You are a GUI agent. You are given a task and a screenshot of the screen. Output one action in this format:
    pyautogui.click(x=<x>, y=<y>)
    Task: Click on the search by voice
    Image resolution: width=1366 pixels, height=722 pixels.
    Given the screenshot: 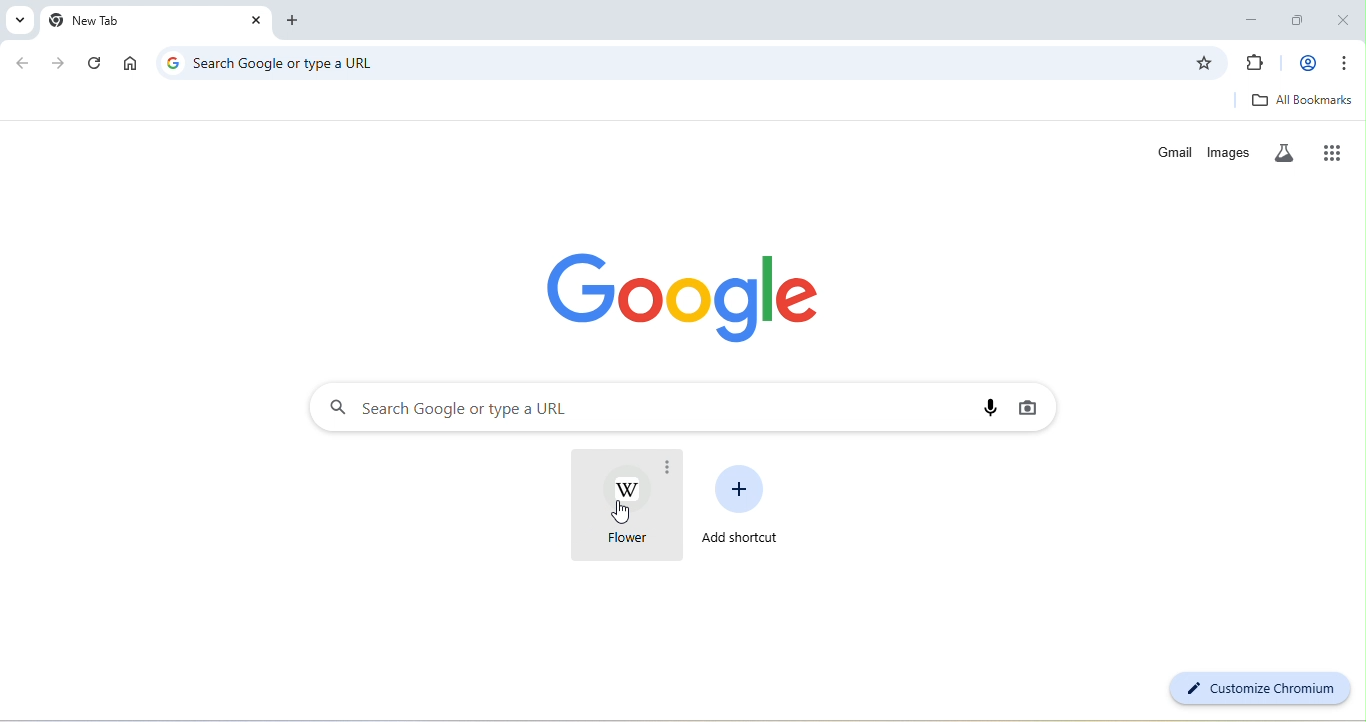 What is the action you would take?
    pyautogui.click(x=988, y=409)
    